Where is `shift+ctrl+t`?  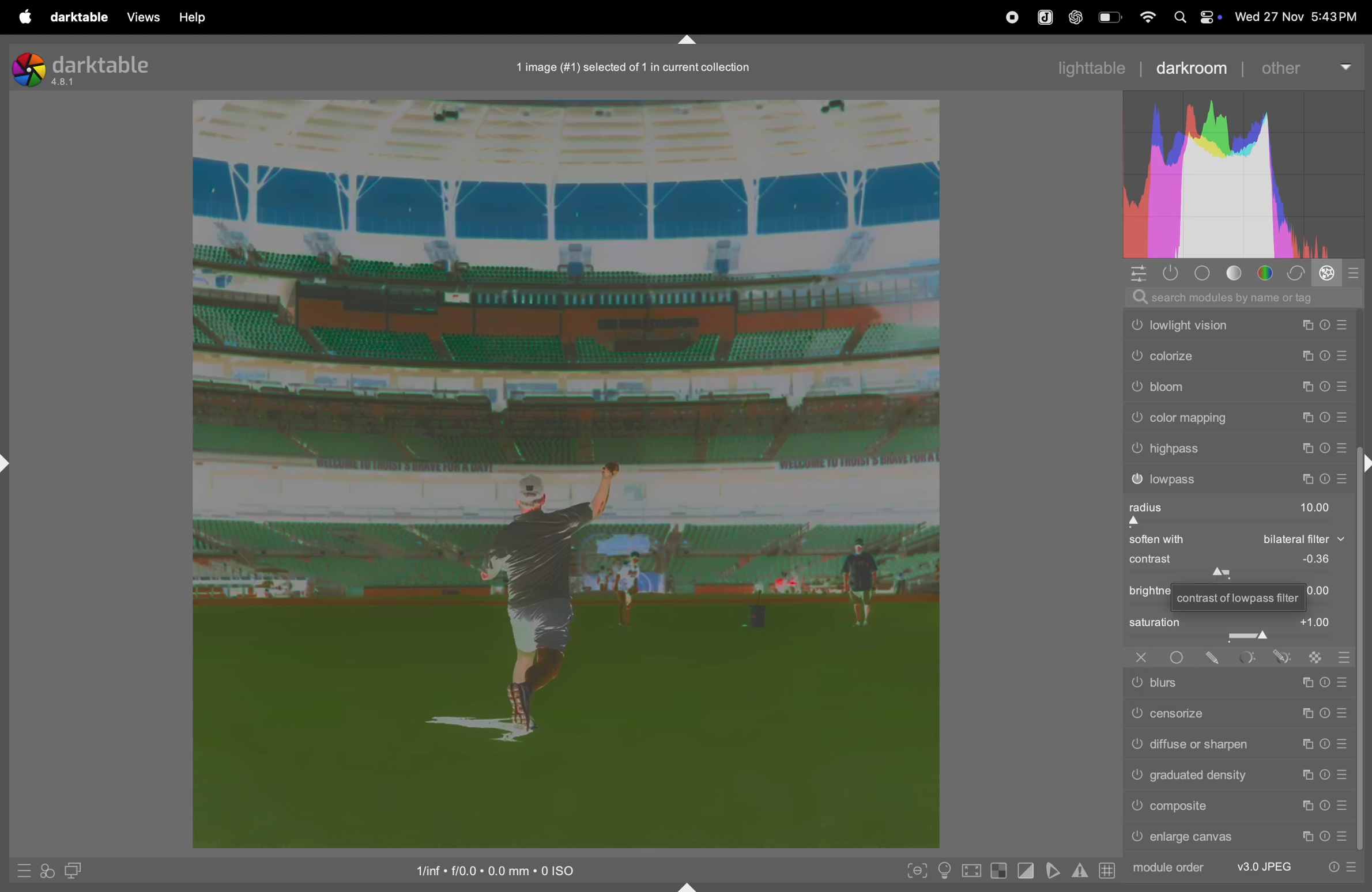
shift+ctrl+t is located at coordinates (688, 40).